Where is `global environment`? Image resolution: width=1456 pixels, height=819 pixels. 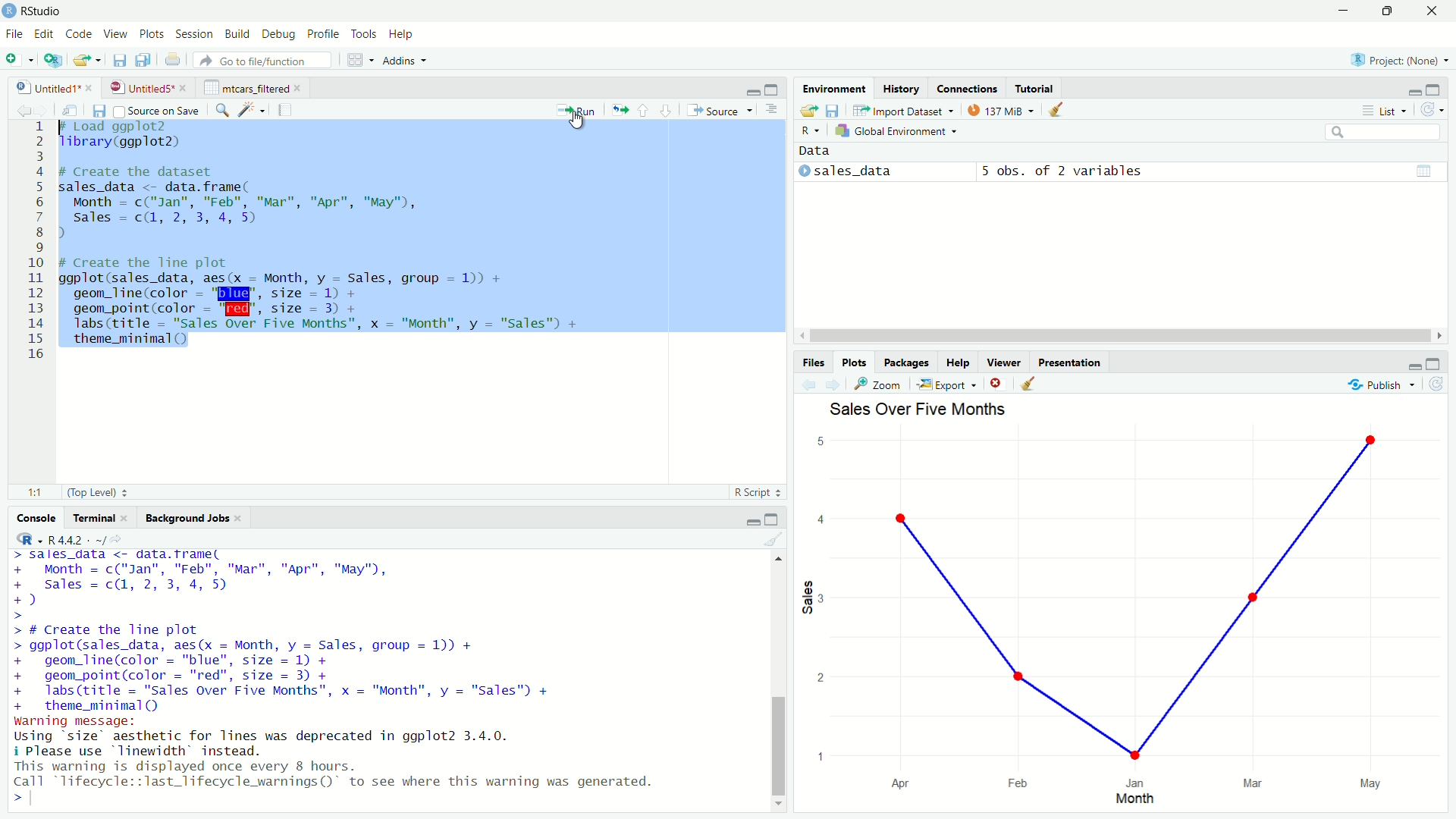 global environment is located at coordinates (893, 132).